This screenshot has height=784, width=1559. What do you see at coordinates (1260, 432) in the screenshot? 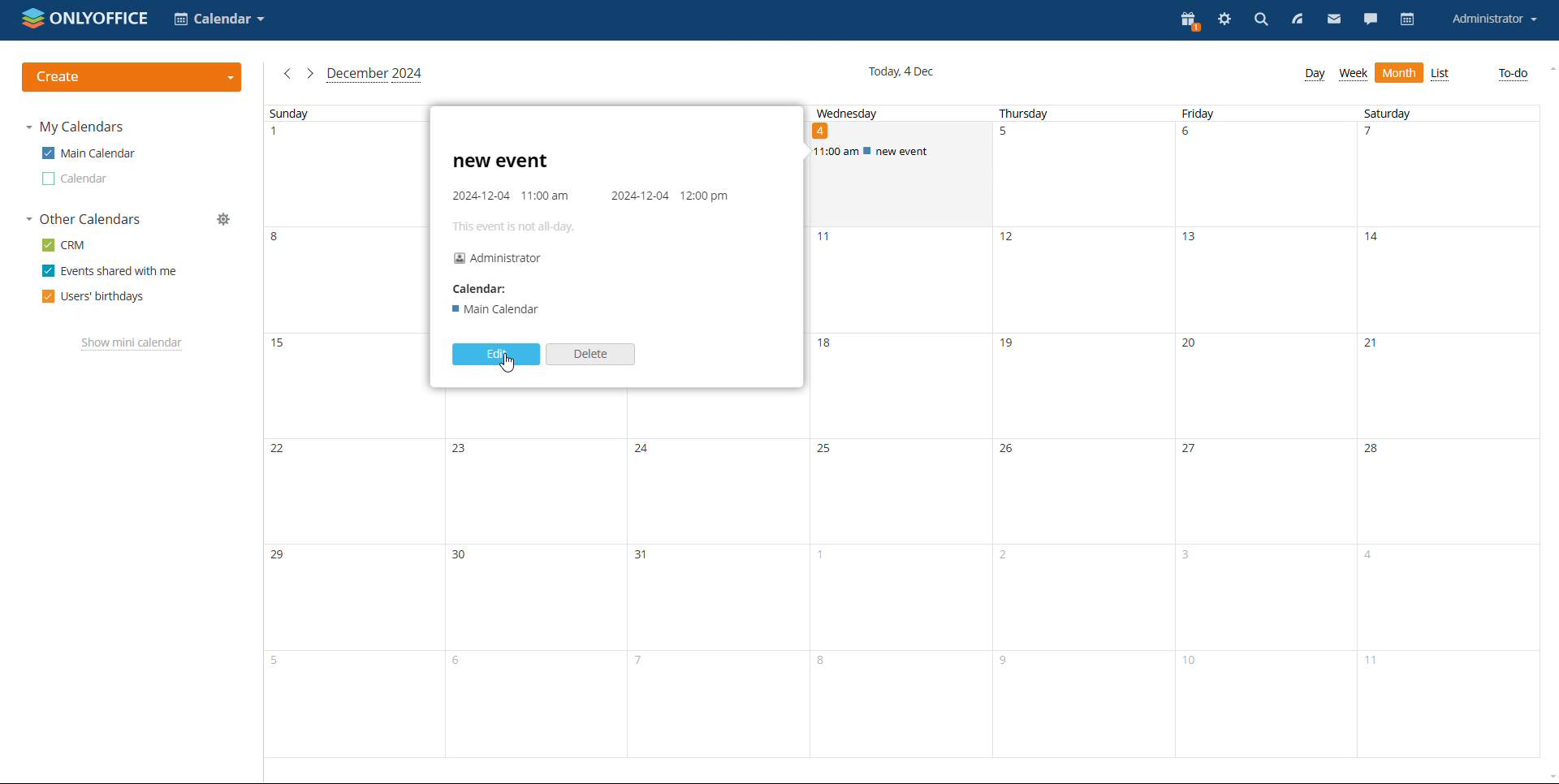
I see `friday` at bounding box center [1260, 432].